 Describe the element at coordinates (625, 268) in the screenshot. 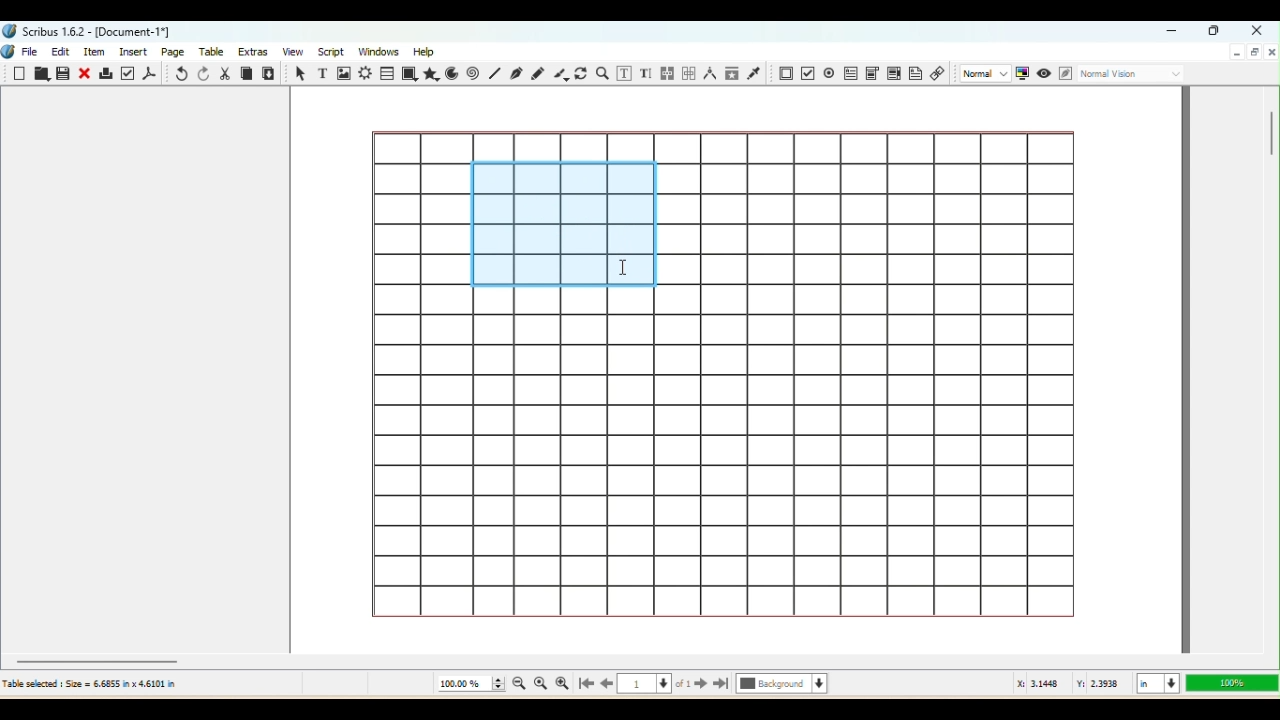

I see `cursor` at that location.